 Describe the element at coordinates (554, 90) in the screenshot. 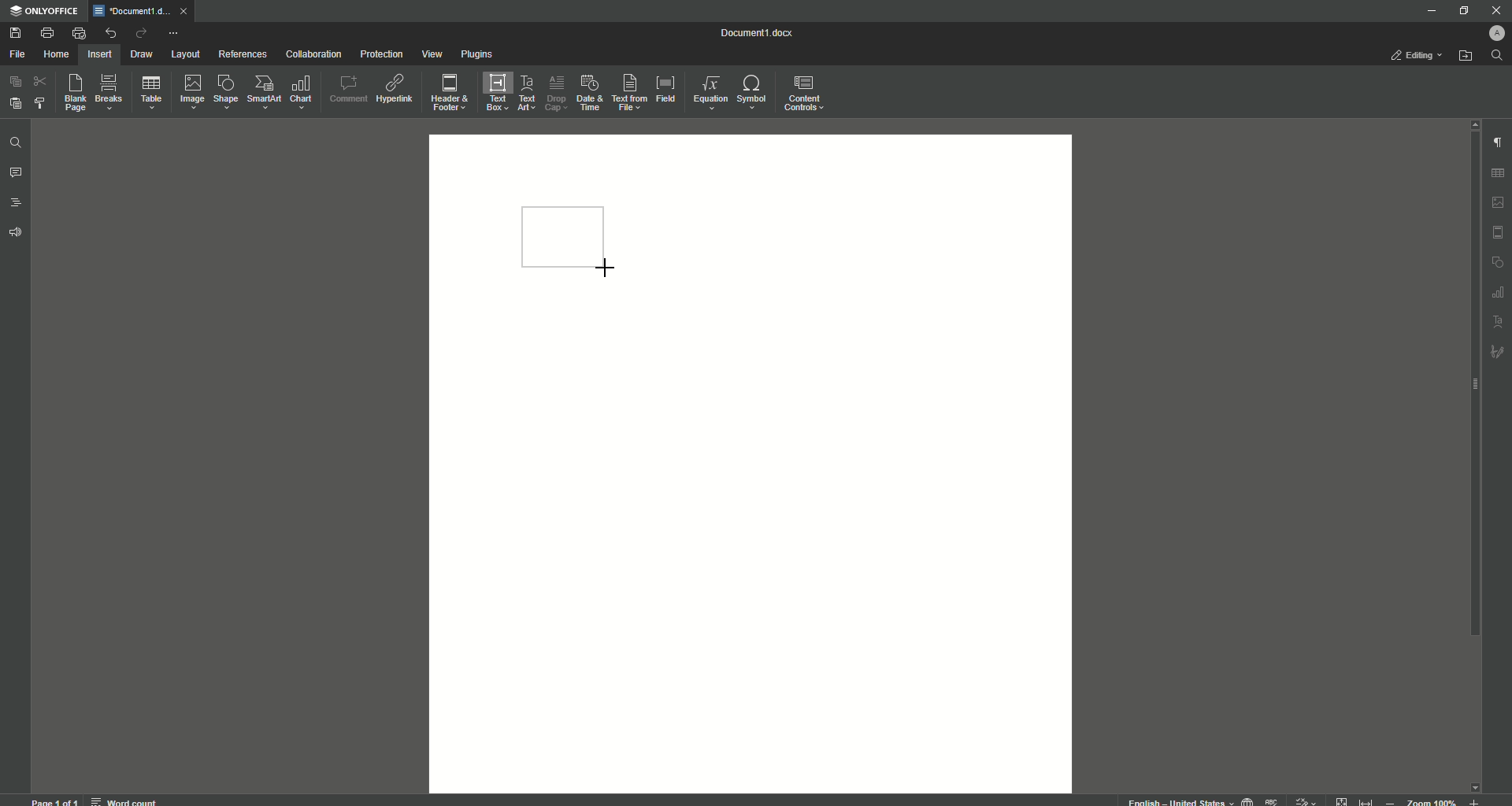

I see `Drop Cap` at that location.